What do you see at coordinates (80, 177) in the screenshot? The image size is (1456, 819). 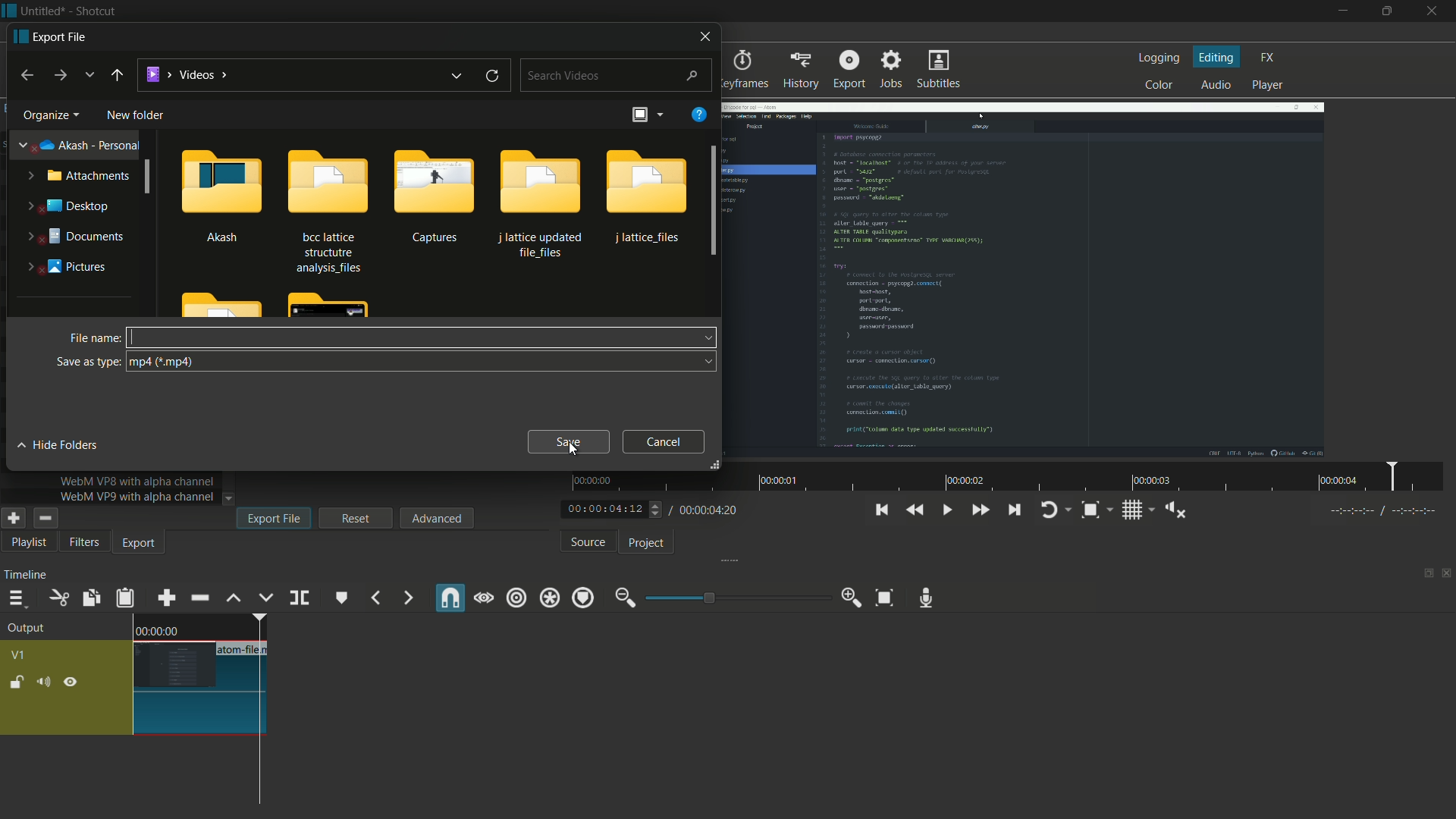 I see `attachments` at bounding box center [80, 177].